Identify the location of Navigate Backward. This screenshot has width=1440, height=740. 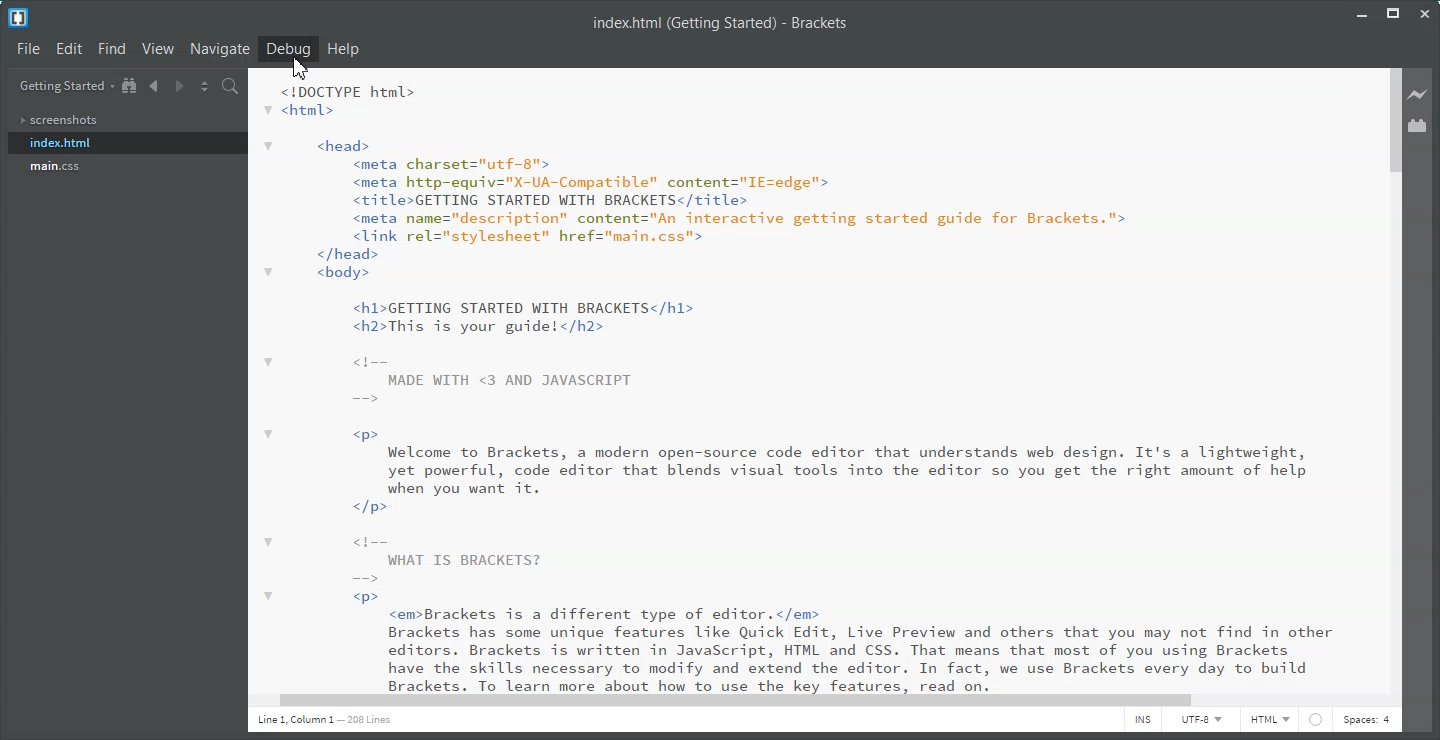
(154, 86).